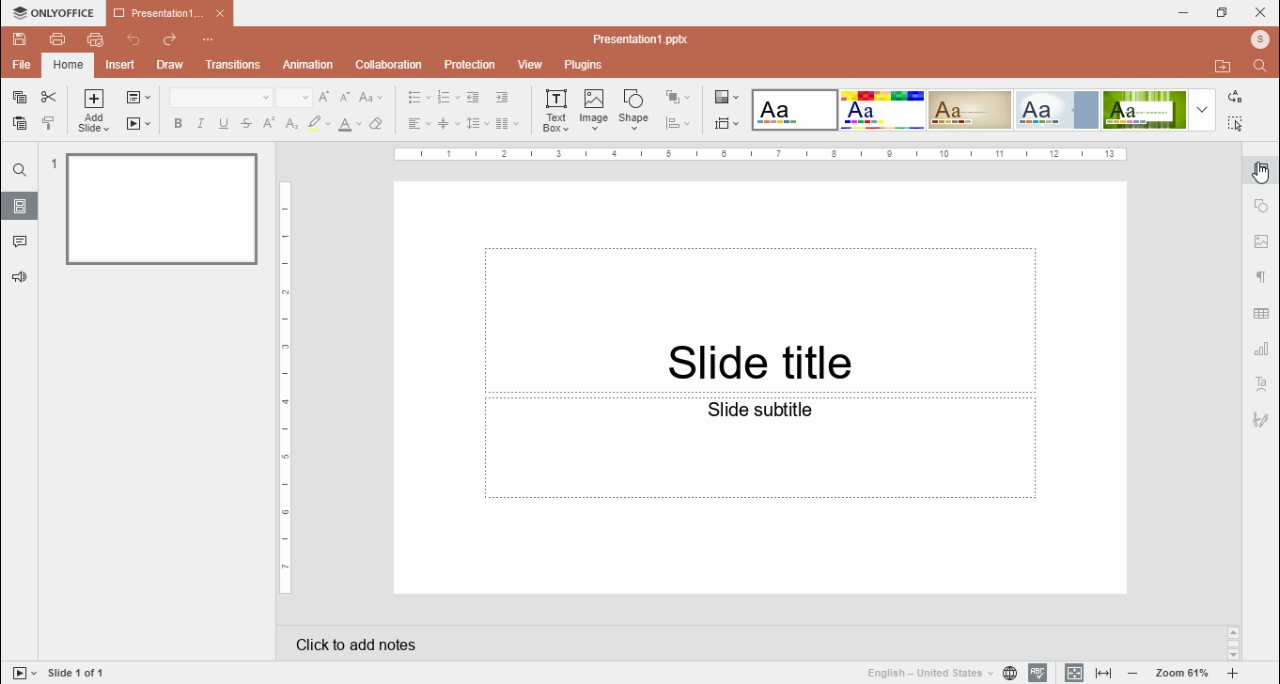 The image size is (1280, 684). What do you see at coordinates (221, 98) in the screenshot?
I see `font` at bounding box center [221, 98].